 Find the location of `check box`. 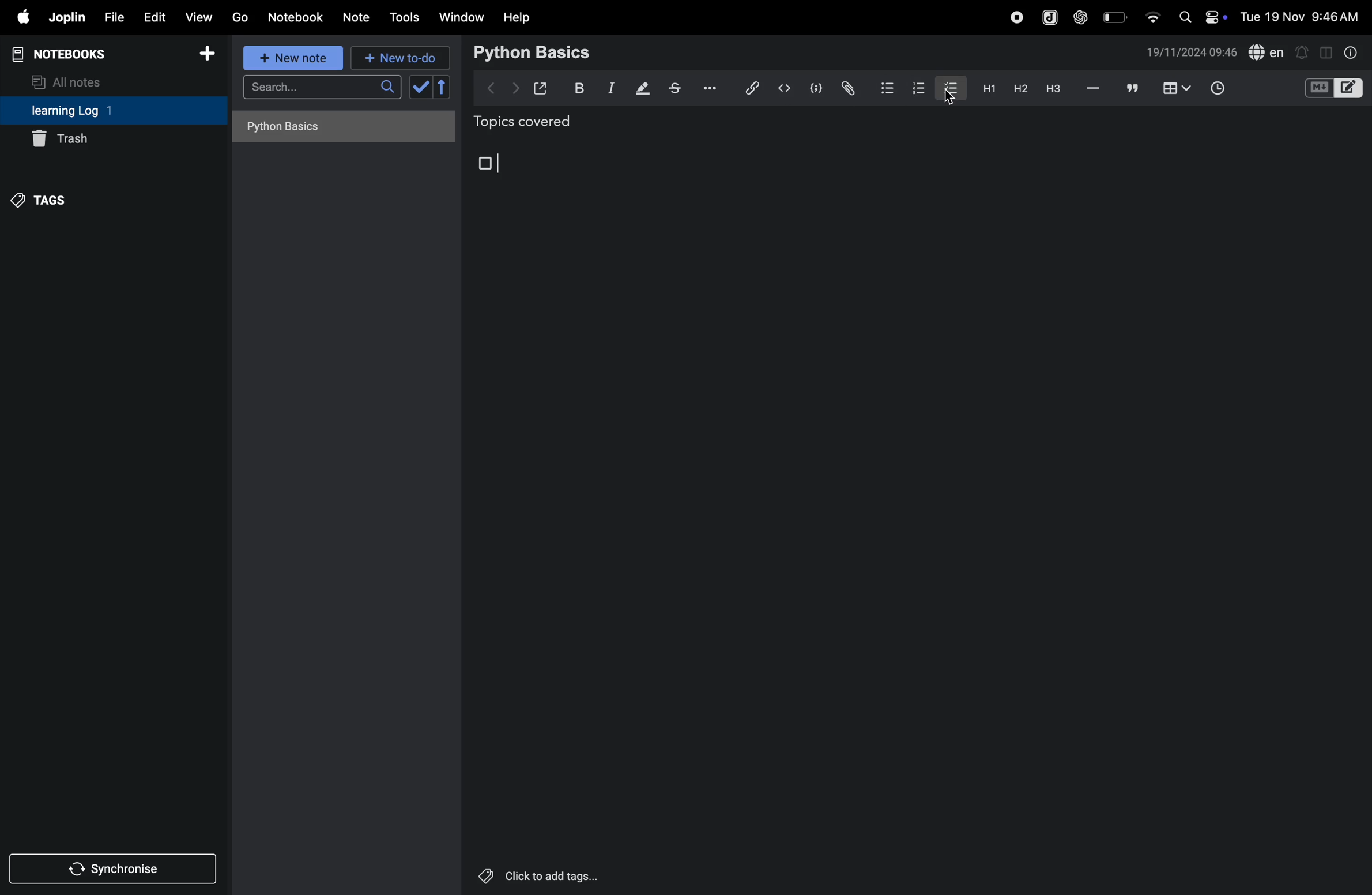

check box is located at coordinates (432, 87).